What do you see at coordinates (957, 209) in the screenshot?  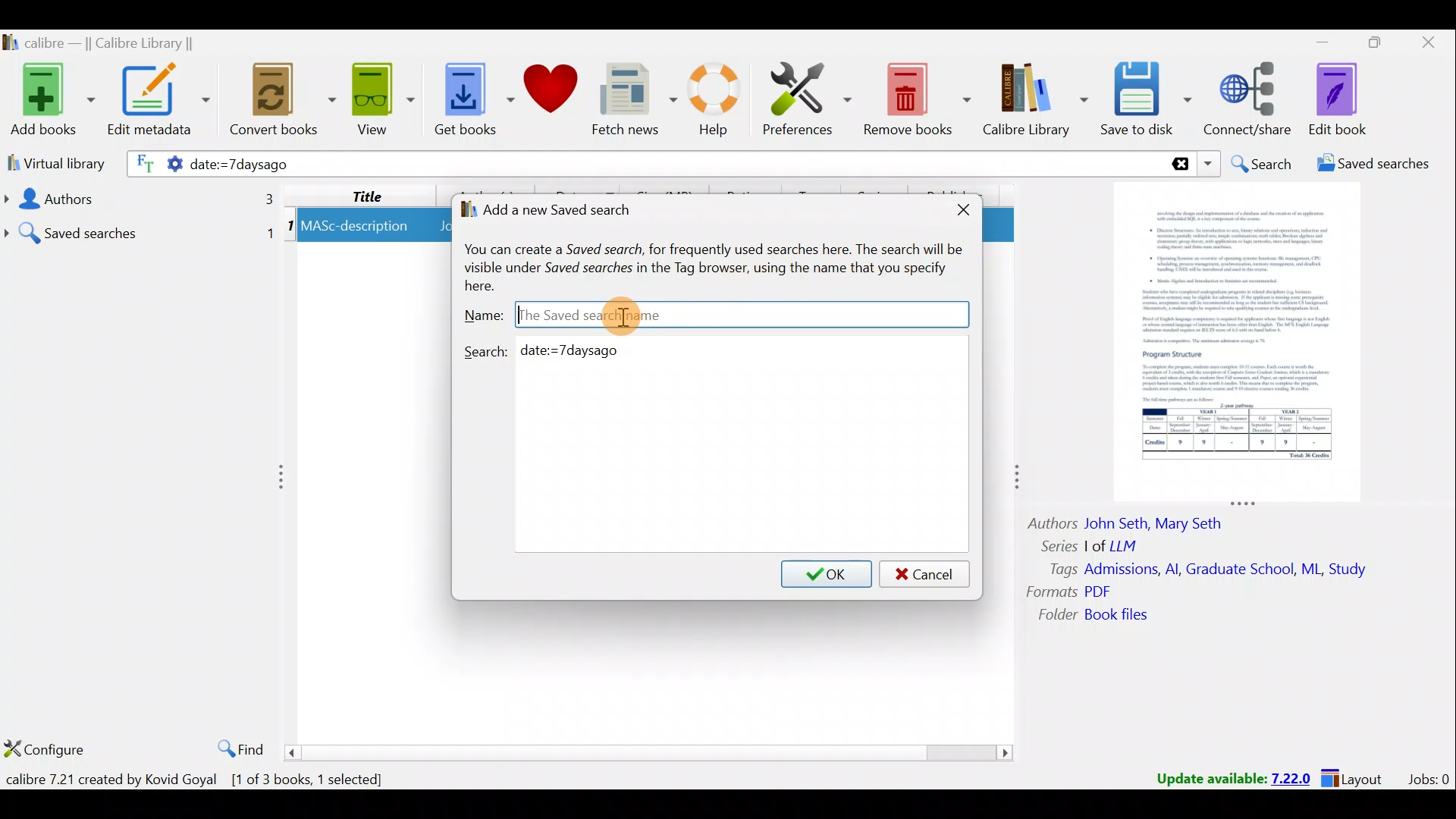 I see `Close` at bounding box center [957, 209].